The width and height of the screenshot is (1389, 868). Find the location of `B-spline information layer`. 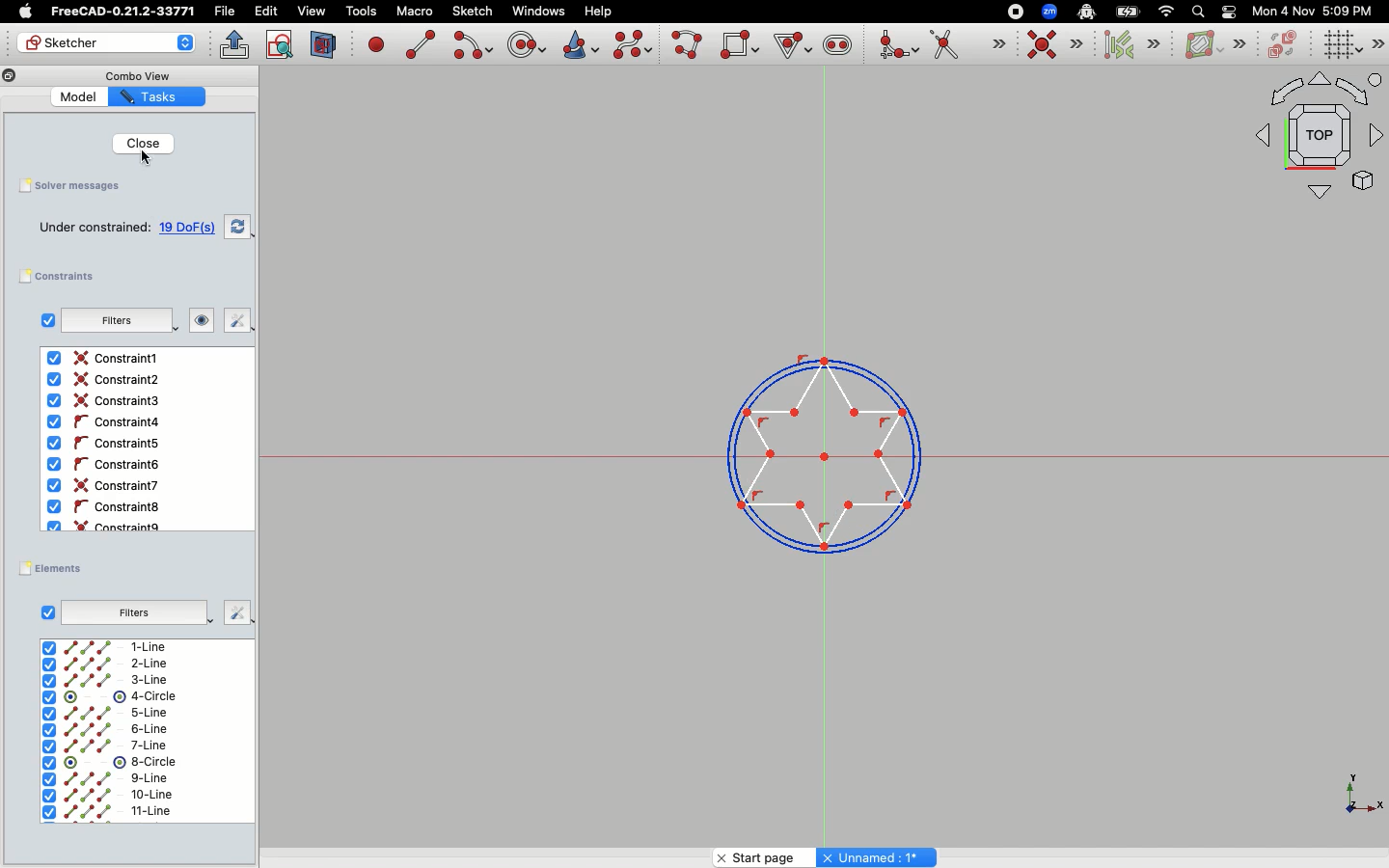

B-spline information layer is located at coordinates (1213, 45).